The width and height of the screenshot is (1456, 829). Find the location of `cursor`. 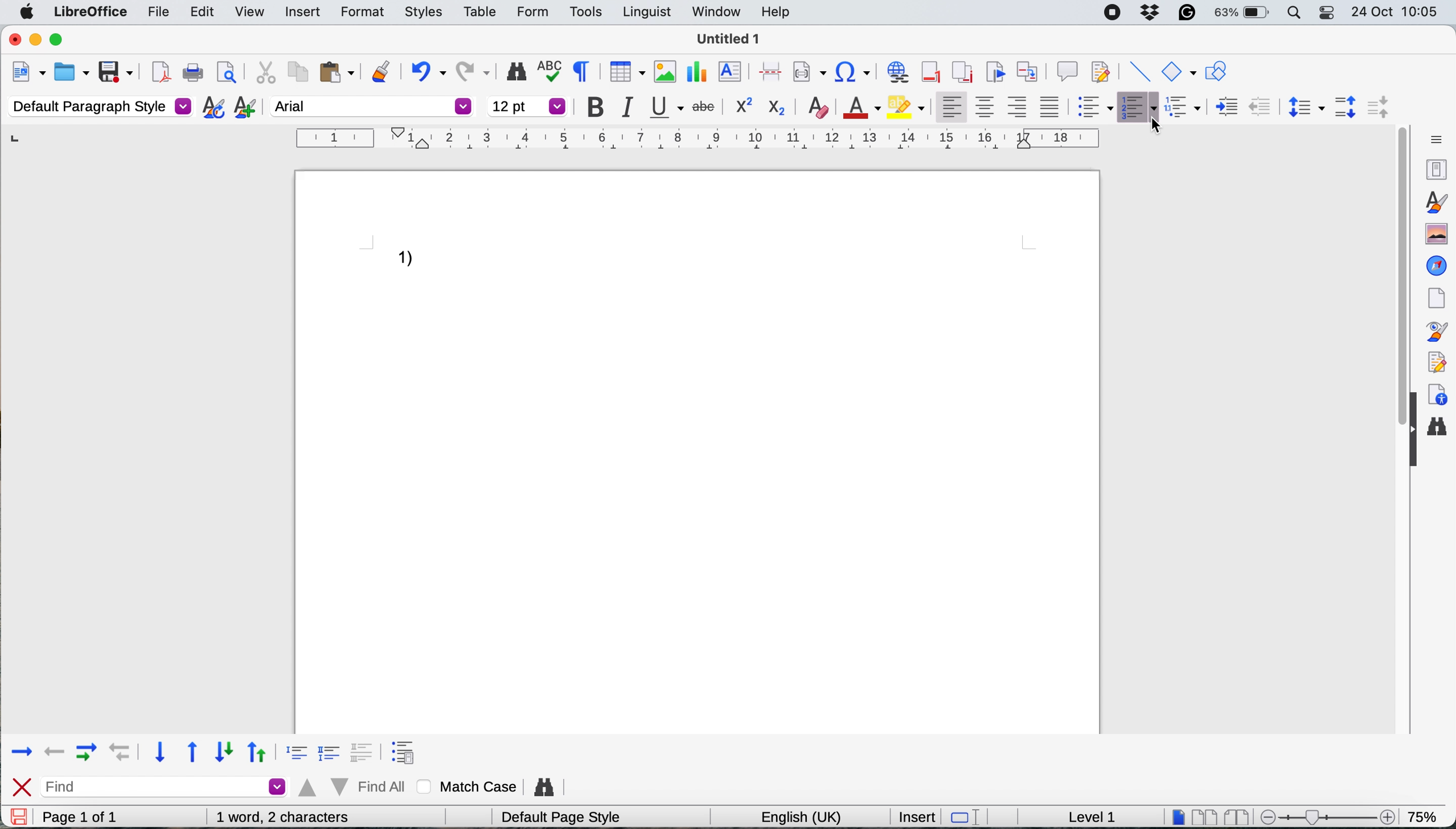

cursor is located at coordinates (1158, 125).